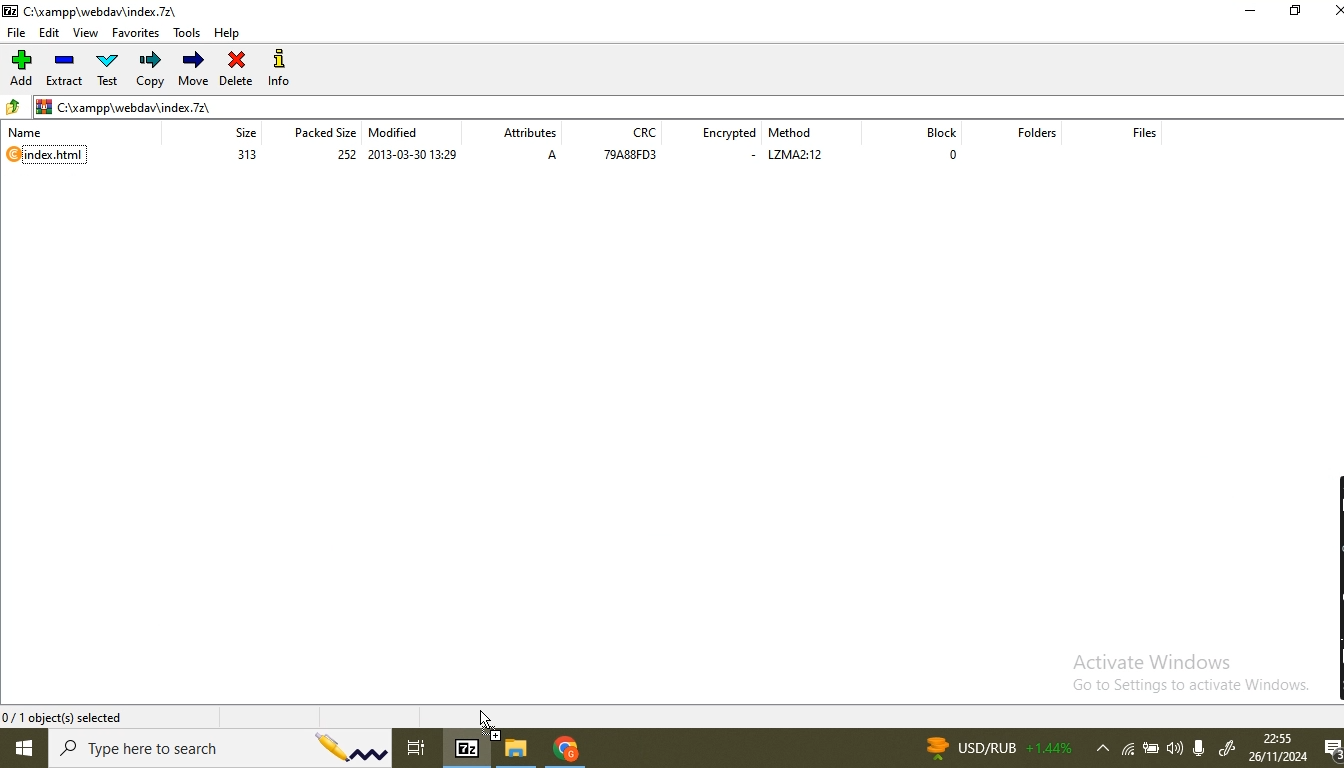  I want to click on size, so click(240, 132).